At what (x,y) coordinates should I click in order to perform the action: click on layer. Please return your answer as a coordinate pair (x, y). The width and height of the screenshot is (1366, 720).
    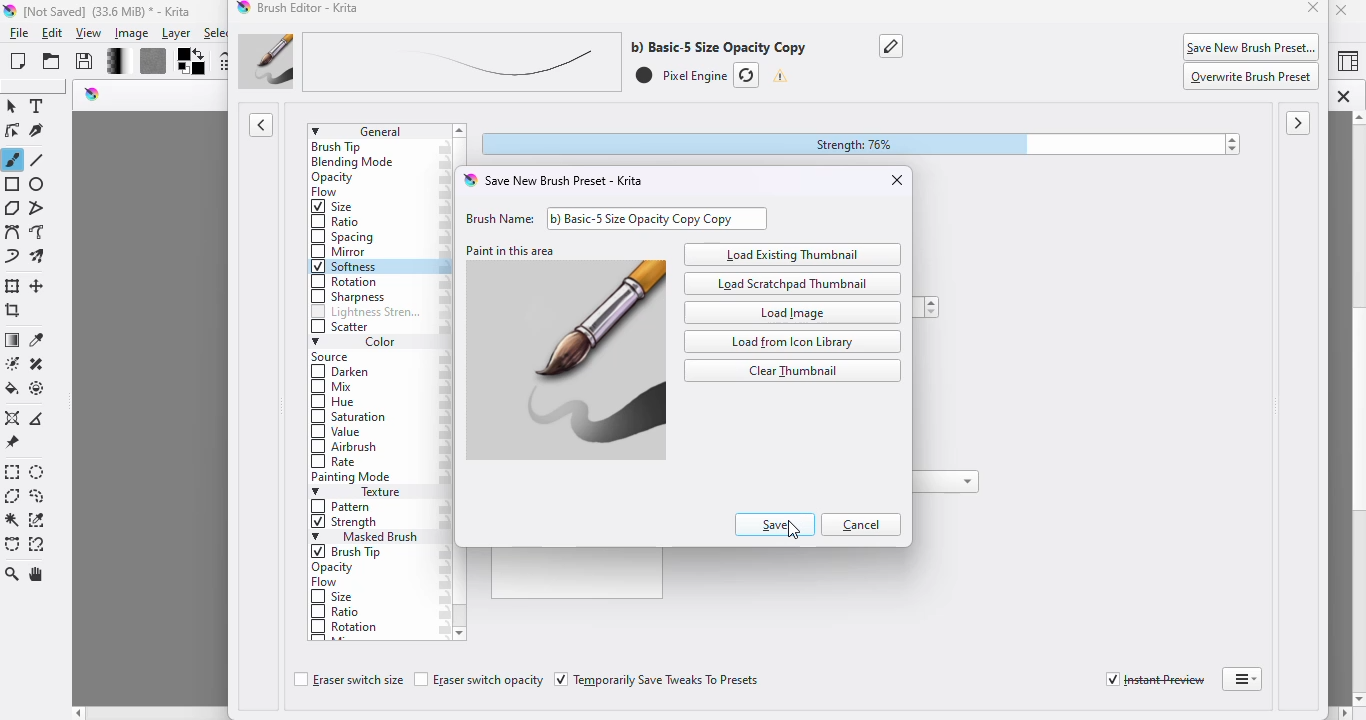
    Looking at the image, I should click on (176, 34).